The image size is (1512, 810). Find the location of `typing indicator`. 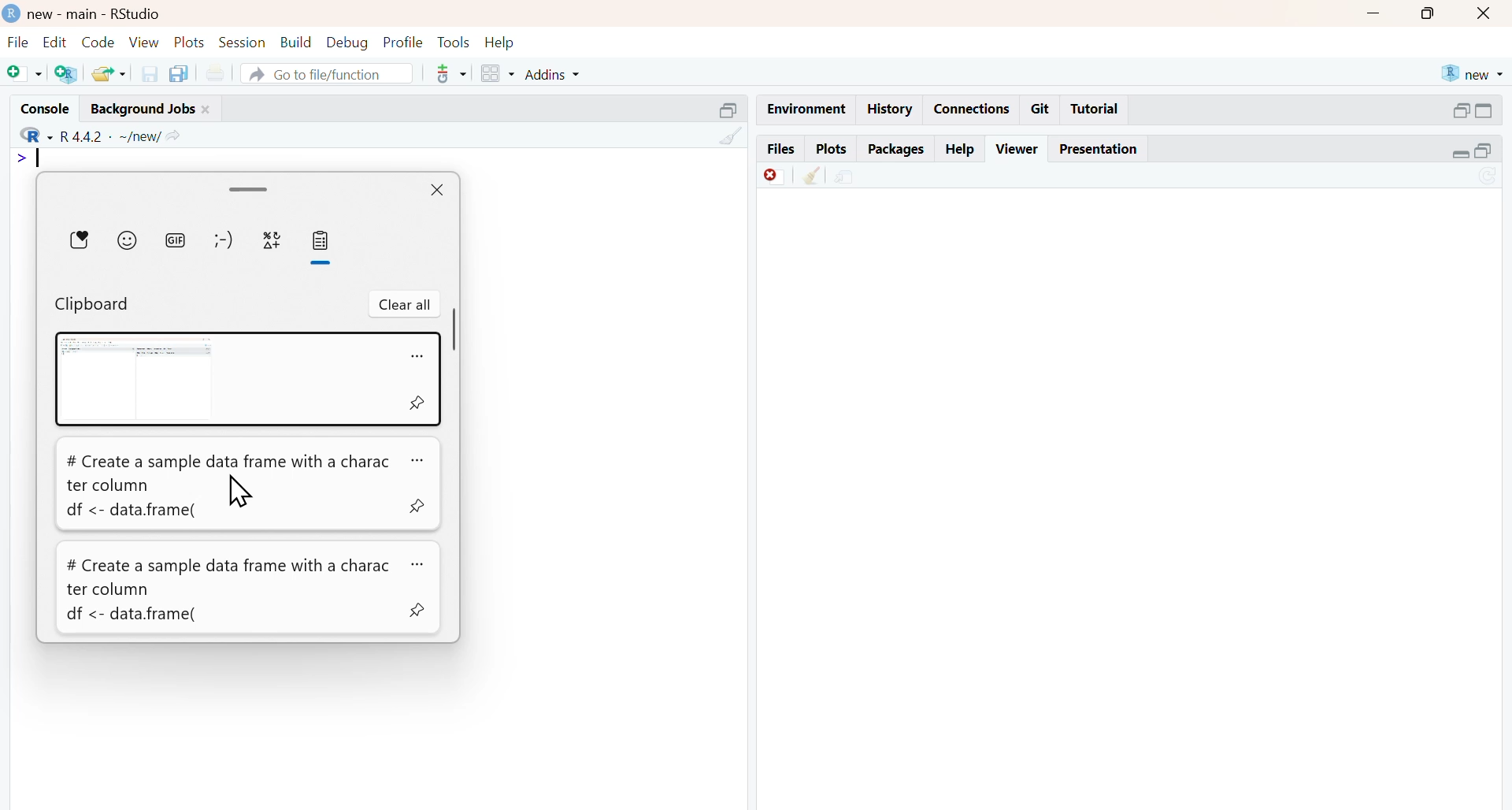

typing indicator is located at coordinates (39, 158).